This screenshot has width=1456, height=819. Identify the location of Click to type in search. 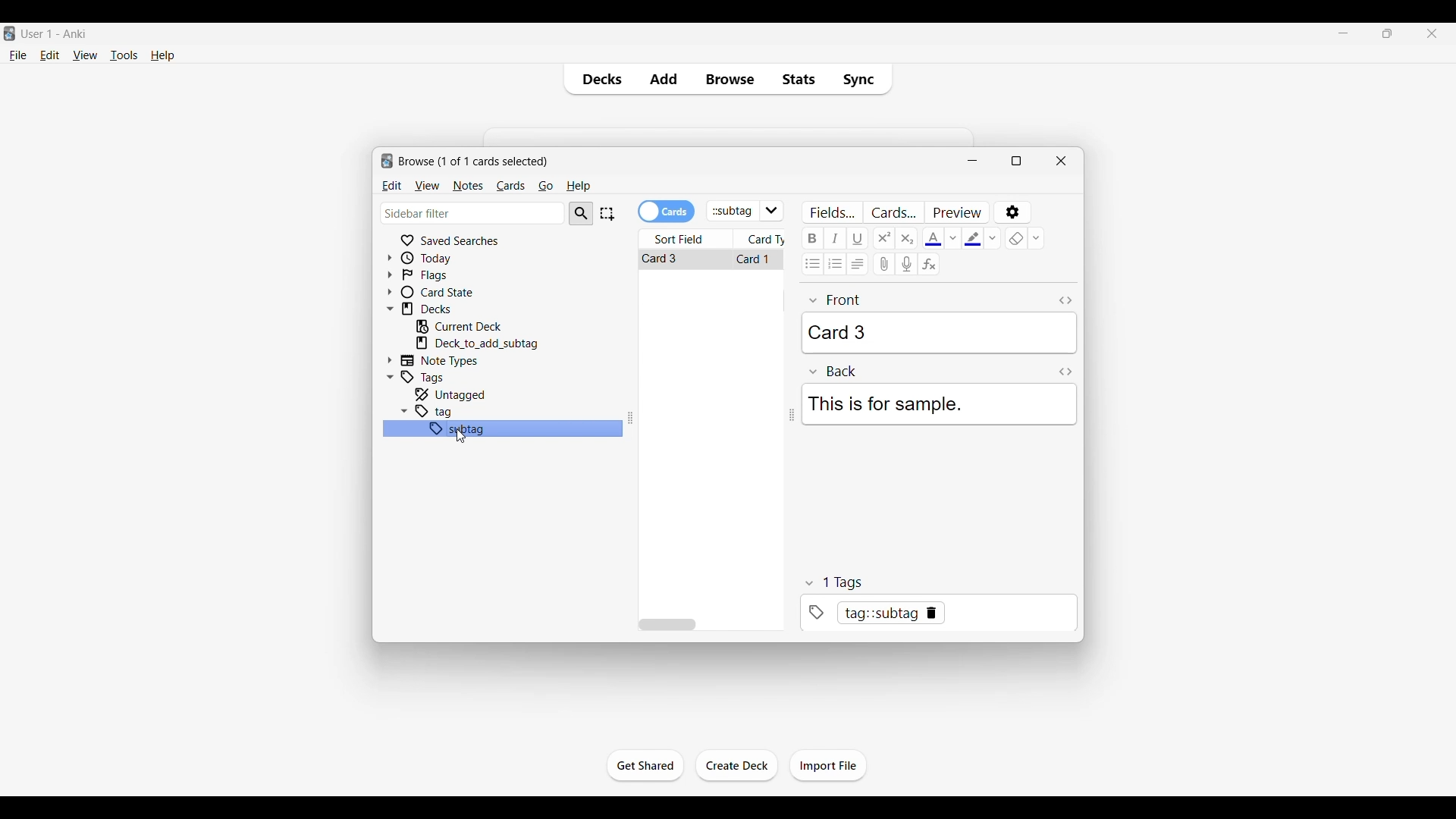
(474, 212).